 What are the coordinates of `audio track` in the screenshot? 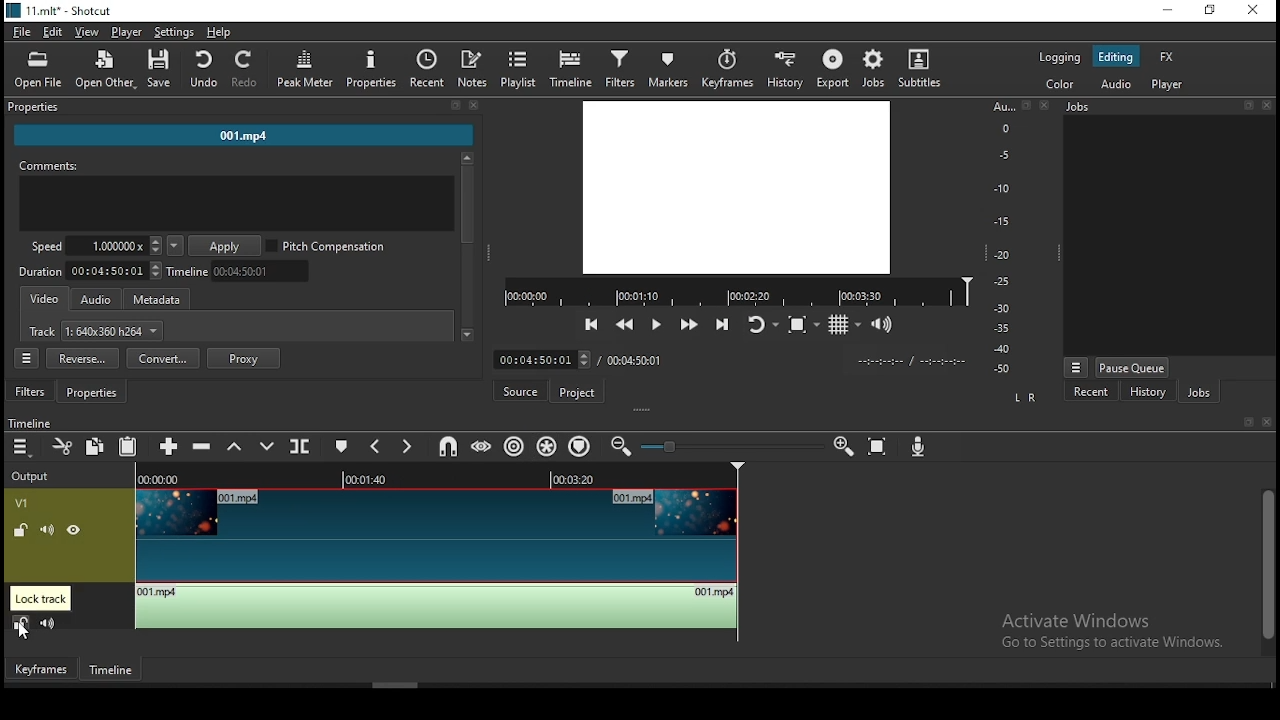 It's located at (435, 609).